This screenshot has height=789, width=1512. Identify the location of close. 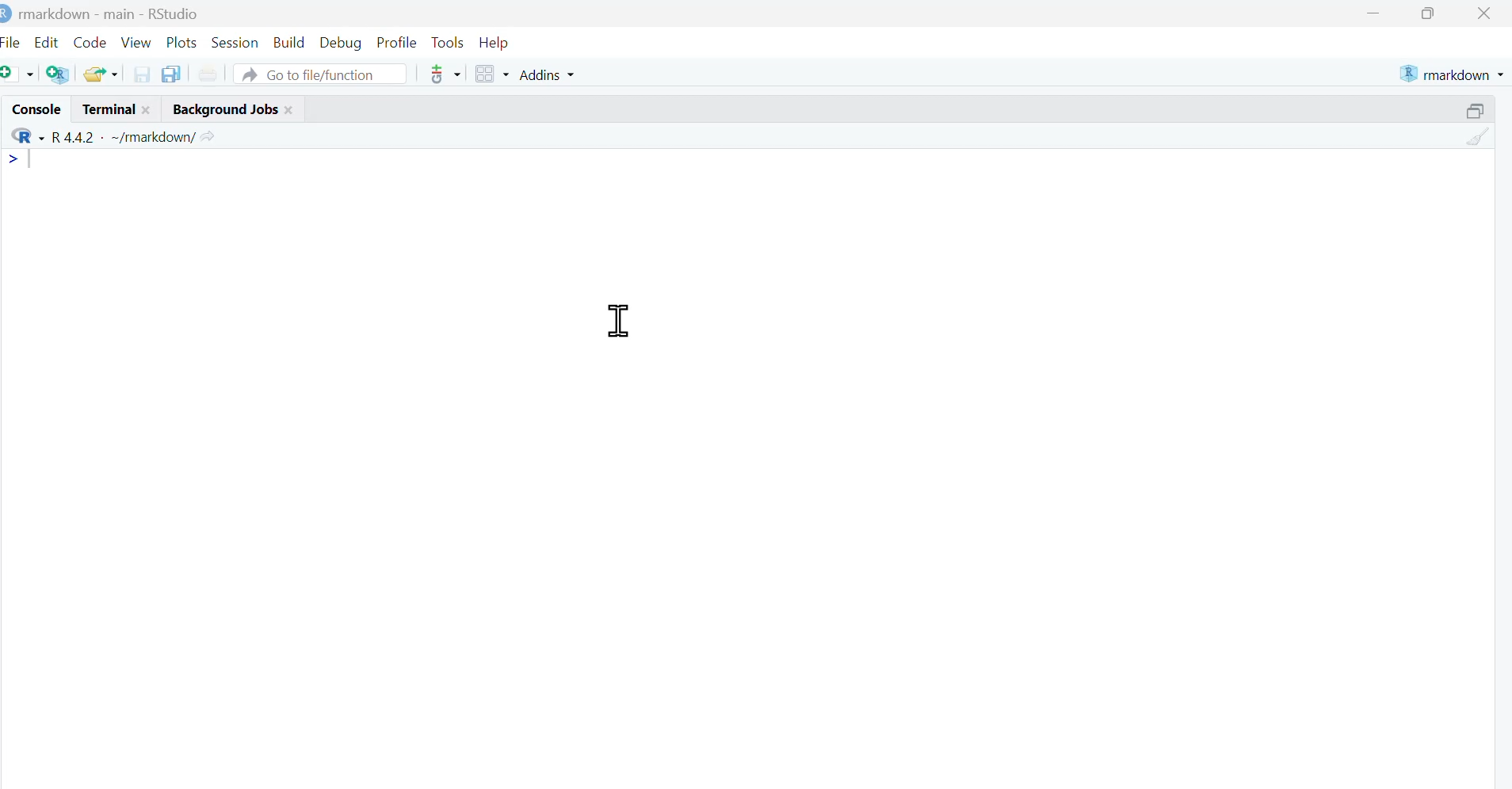
(292, 108).